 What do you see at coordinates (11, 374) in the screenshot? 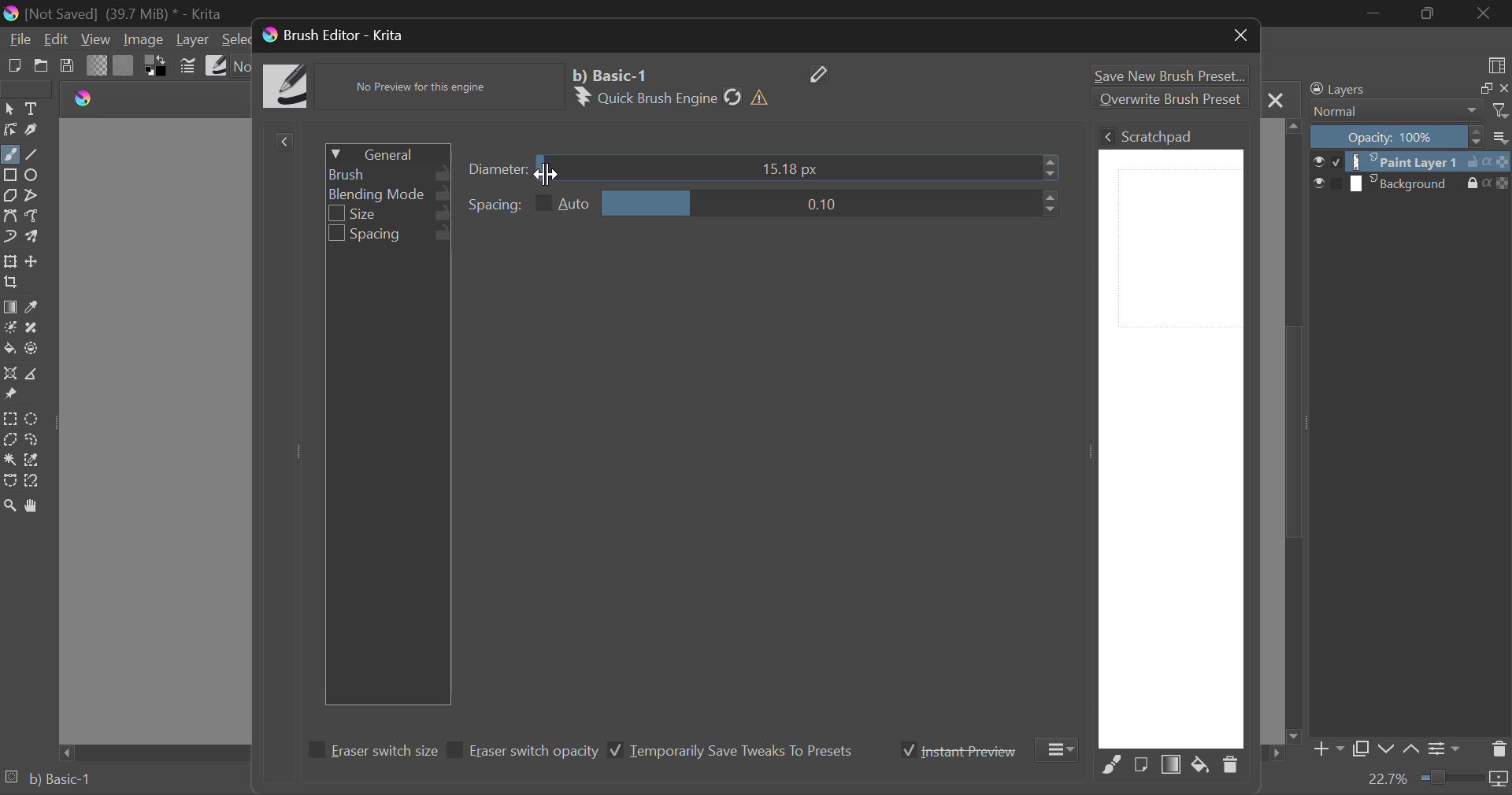
I see `Assistant Tool` at bounding box center [11, 374].